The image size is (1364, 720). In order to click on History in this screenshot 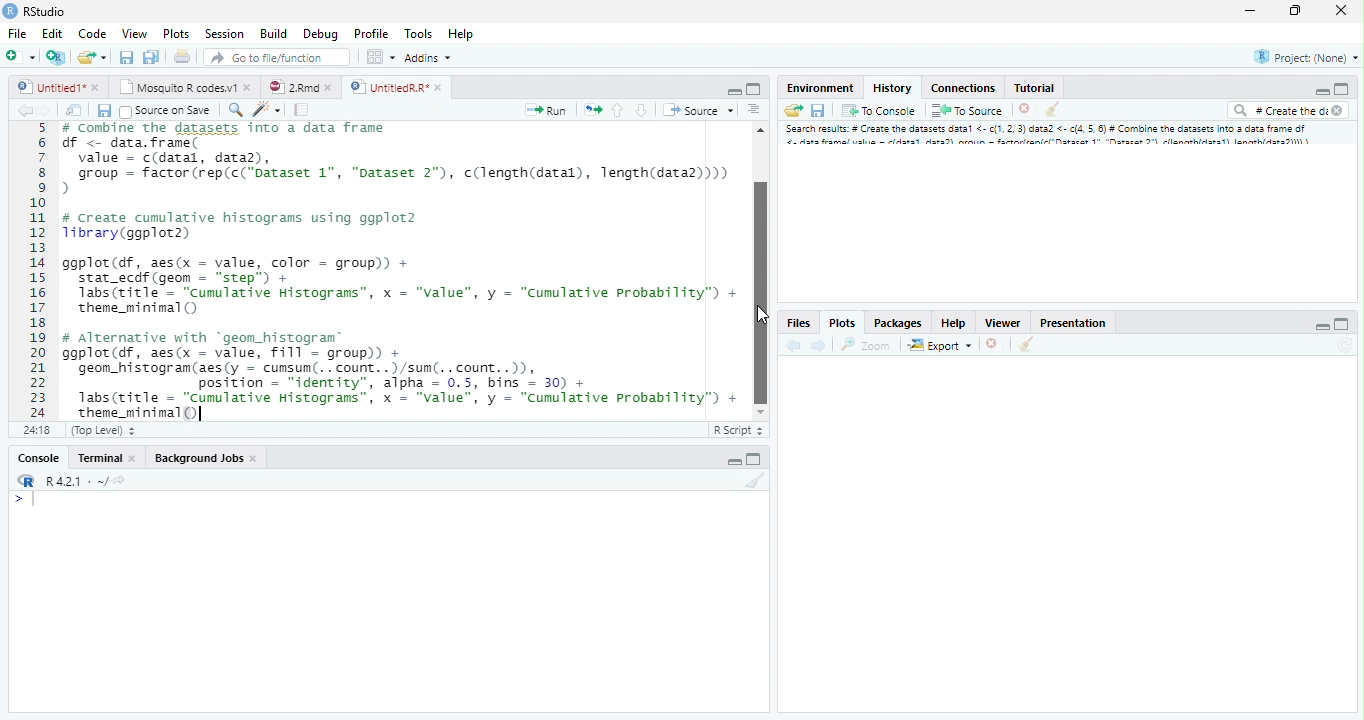, I will do `click(892, 87)`.